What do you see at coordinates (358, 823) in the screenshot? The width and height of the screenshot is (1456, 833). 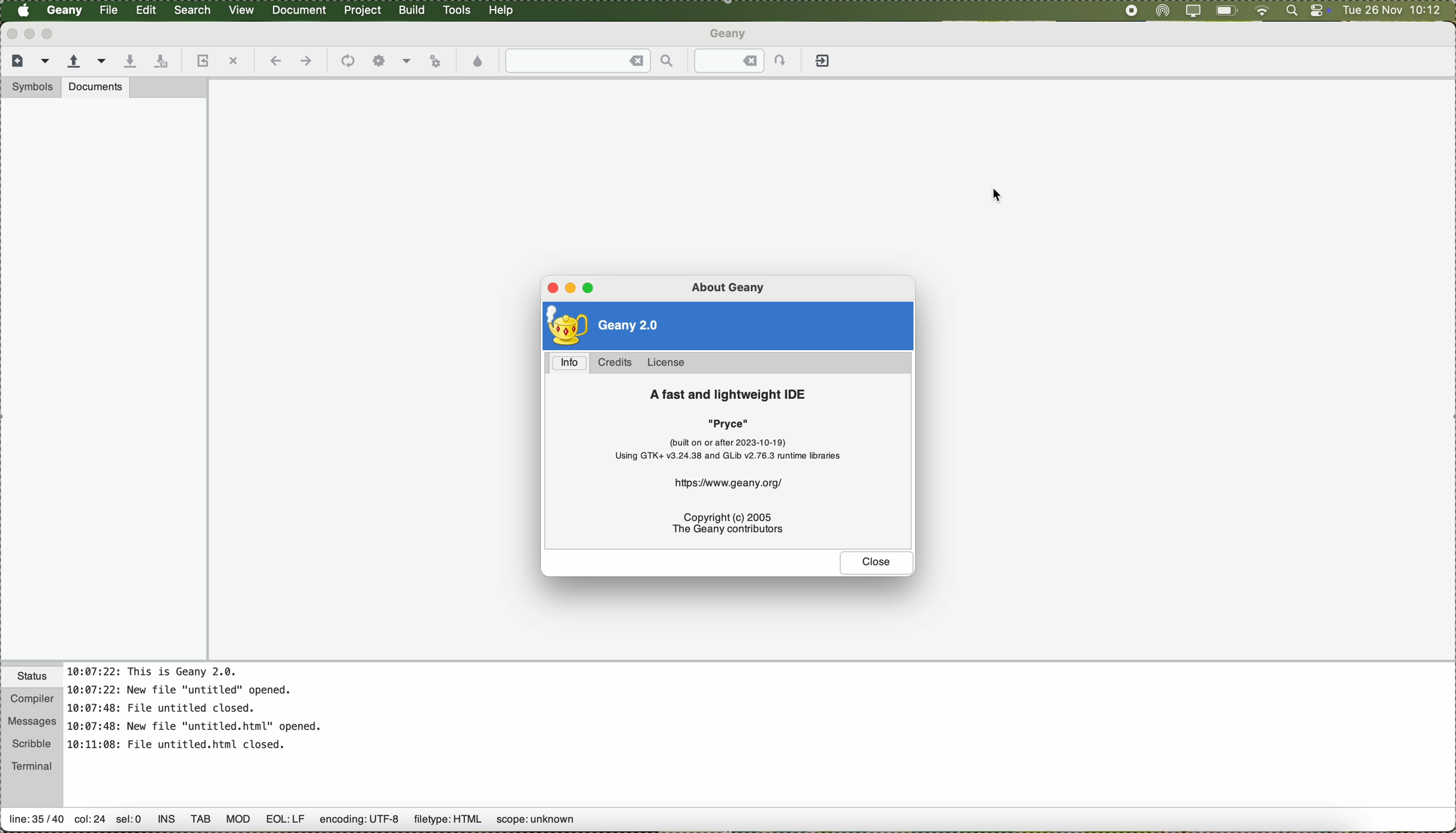 I see `encoding: UTF-8` at bounding box center [358, 823].